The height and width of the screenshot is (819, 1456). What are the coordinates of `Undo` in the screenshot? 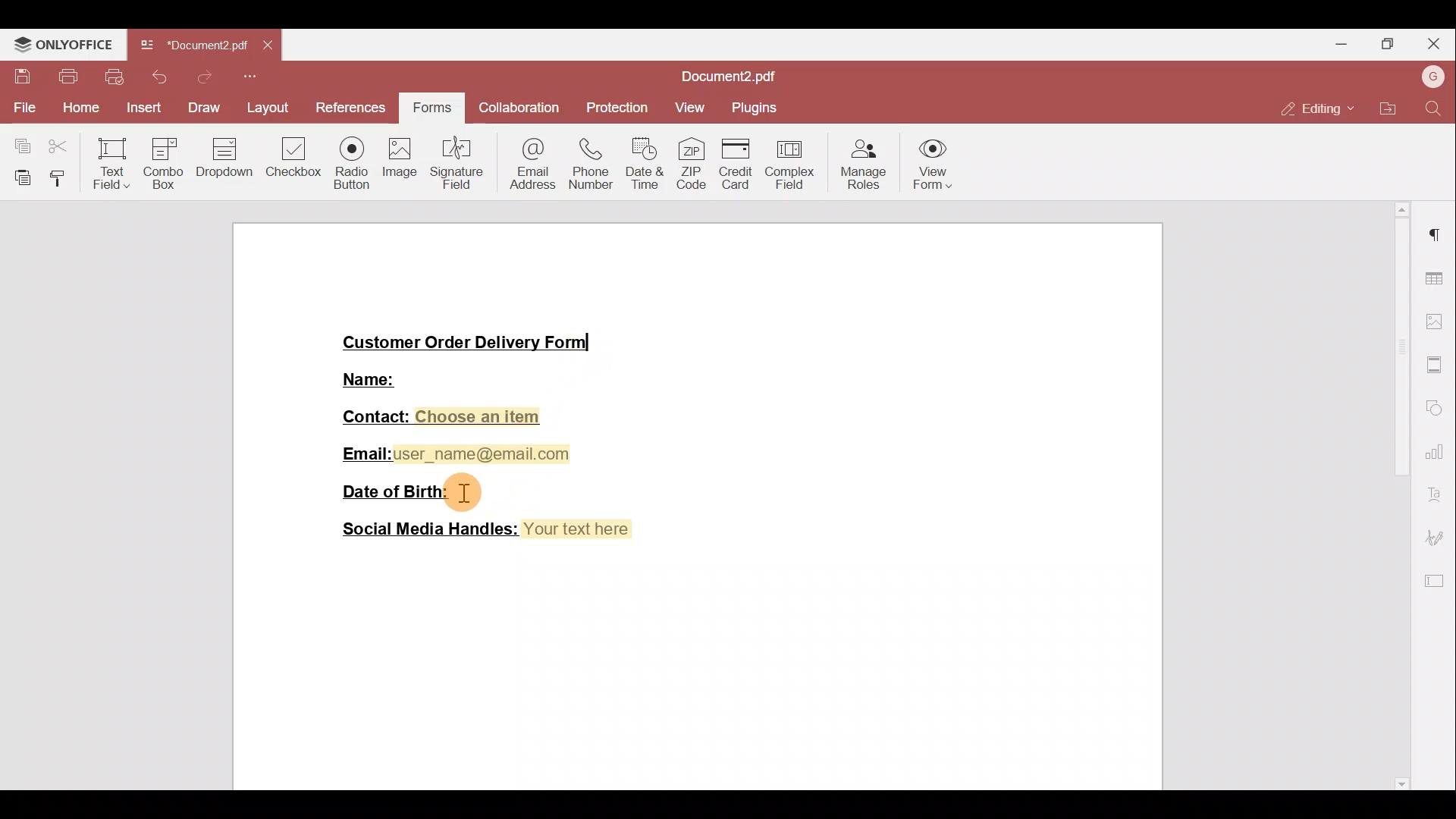 It's located at (157, 77).